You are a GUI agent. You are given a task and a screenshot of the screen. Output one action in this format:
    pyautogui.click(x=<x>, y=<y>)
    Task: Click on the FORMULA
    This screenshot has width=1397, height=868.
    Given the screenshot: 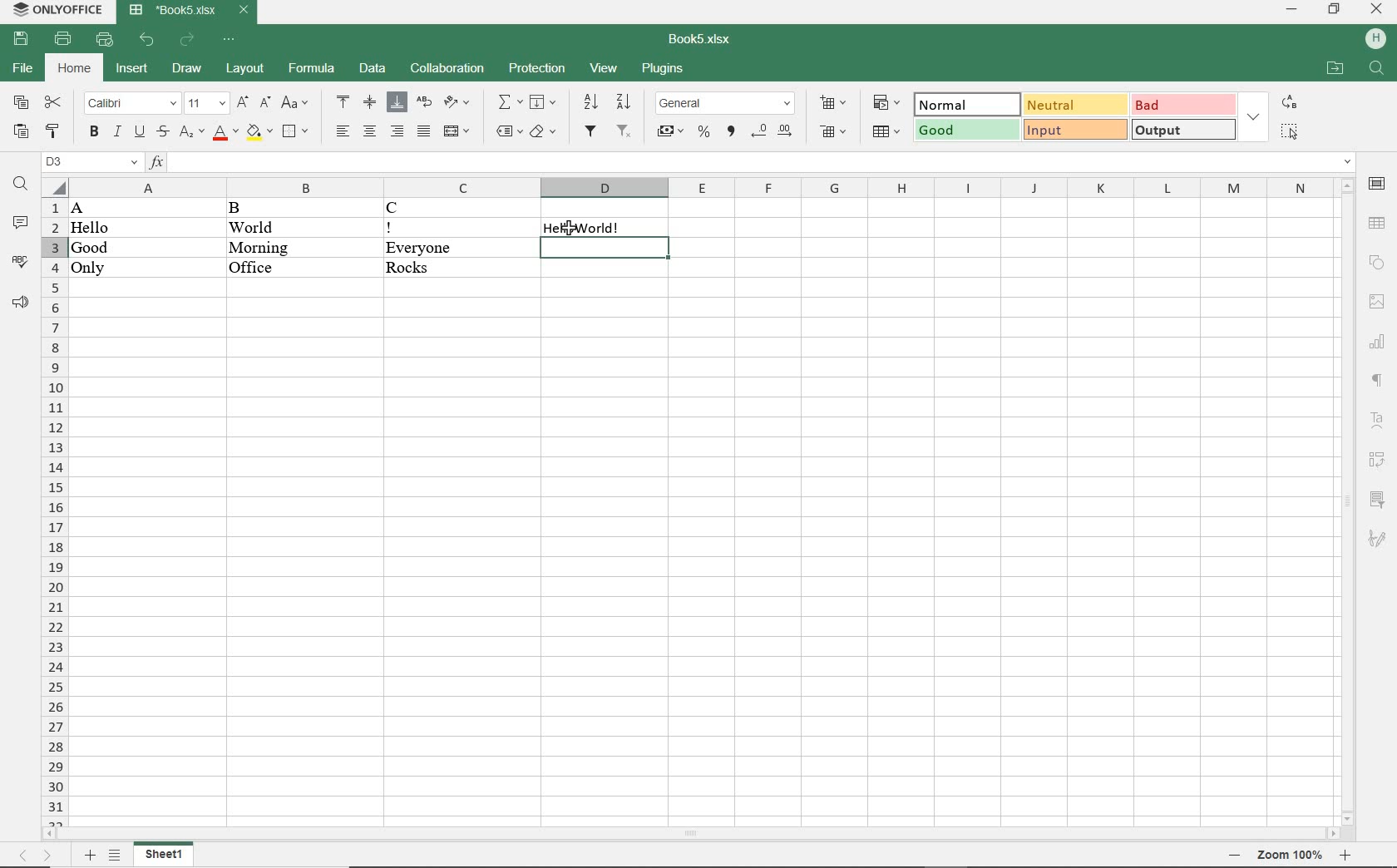 What is the action you would take?
    pyautogui.click(x=309, y=70)
    